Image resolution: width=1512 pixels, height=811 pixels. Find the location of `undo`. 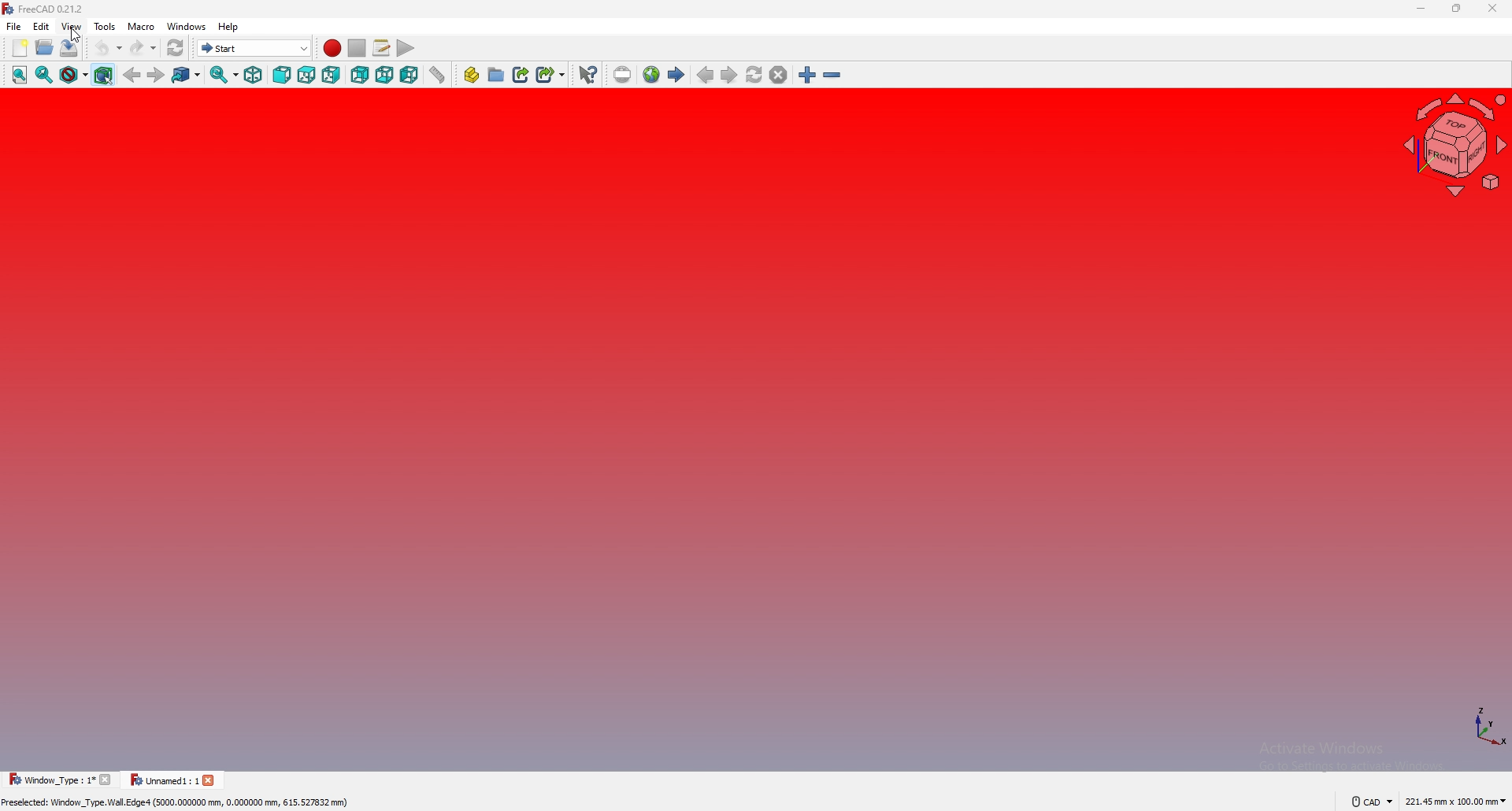

undo is located at coordinates (109, 47).